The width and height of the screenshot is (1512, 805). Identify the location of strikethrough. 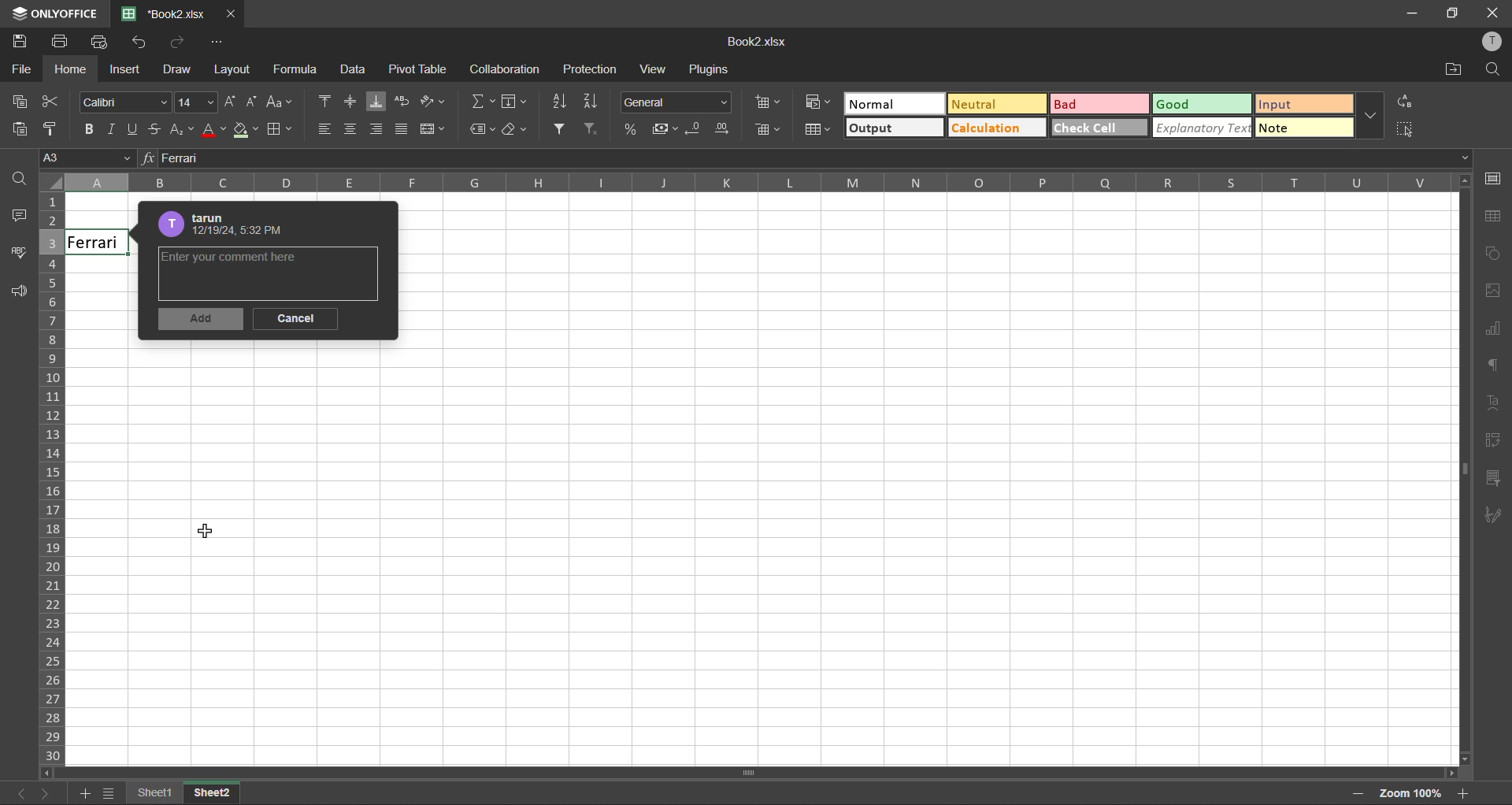
(158, 132).